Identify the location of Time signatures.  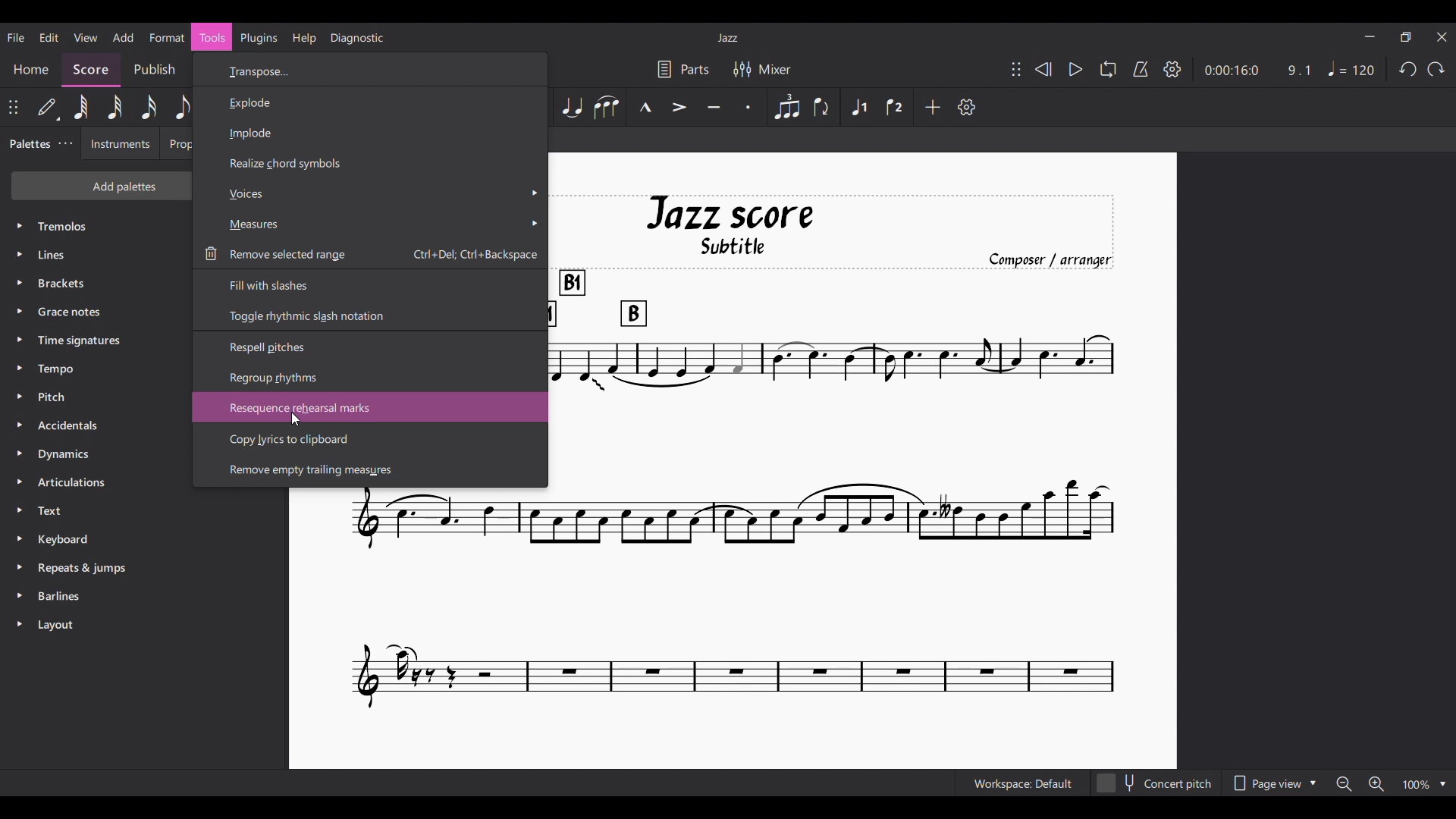
(96, 340).